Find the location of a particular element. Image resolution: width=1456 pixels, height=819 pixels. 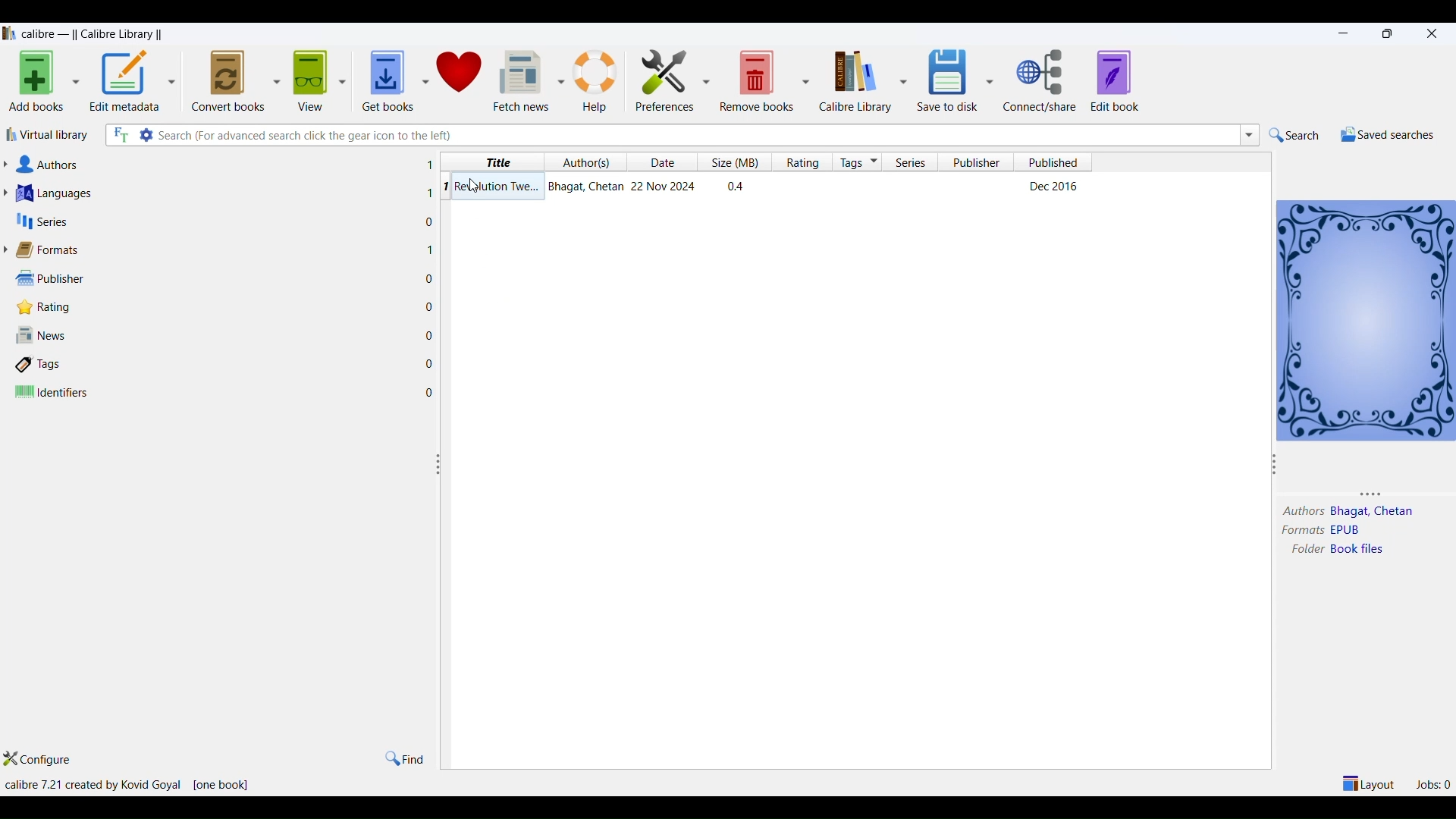

1 is located at coordinates (425, 193).